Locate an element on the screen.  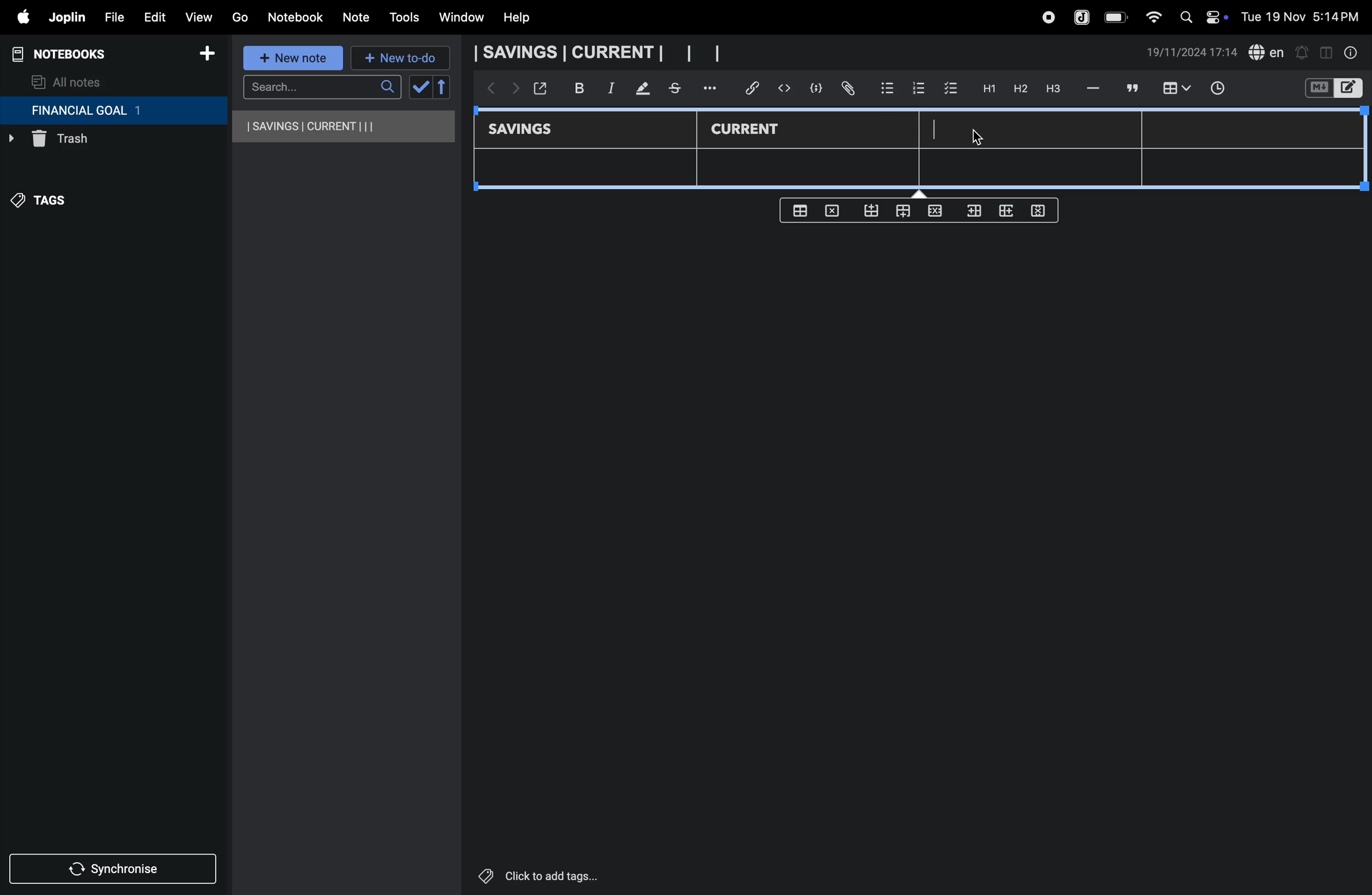
inser rows is located at coordinates (972, 213).